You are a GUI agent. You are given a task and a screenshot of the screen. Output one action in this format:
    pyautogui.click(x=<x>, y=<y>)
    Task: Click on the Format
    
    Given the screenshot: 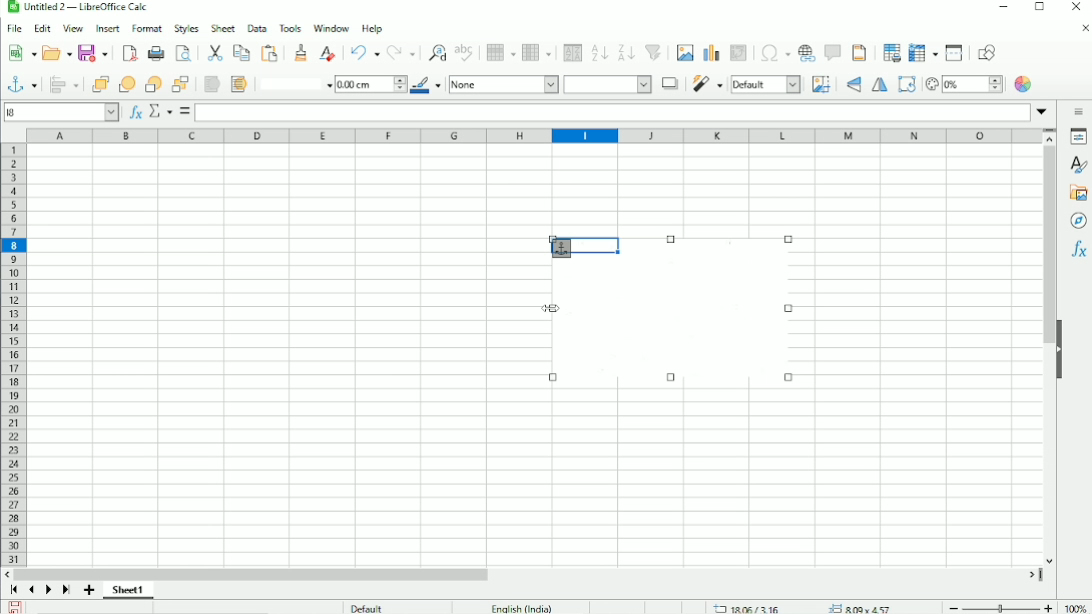 What is the action you would take?
    pyautogui.click(x=148, y=29)
    